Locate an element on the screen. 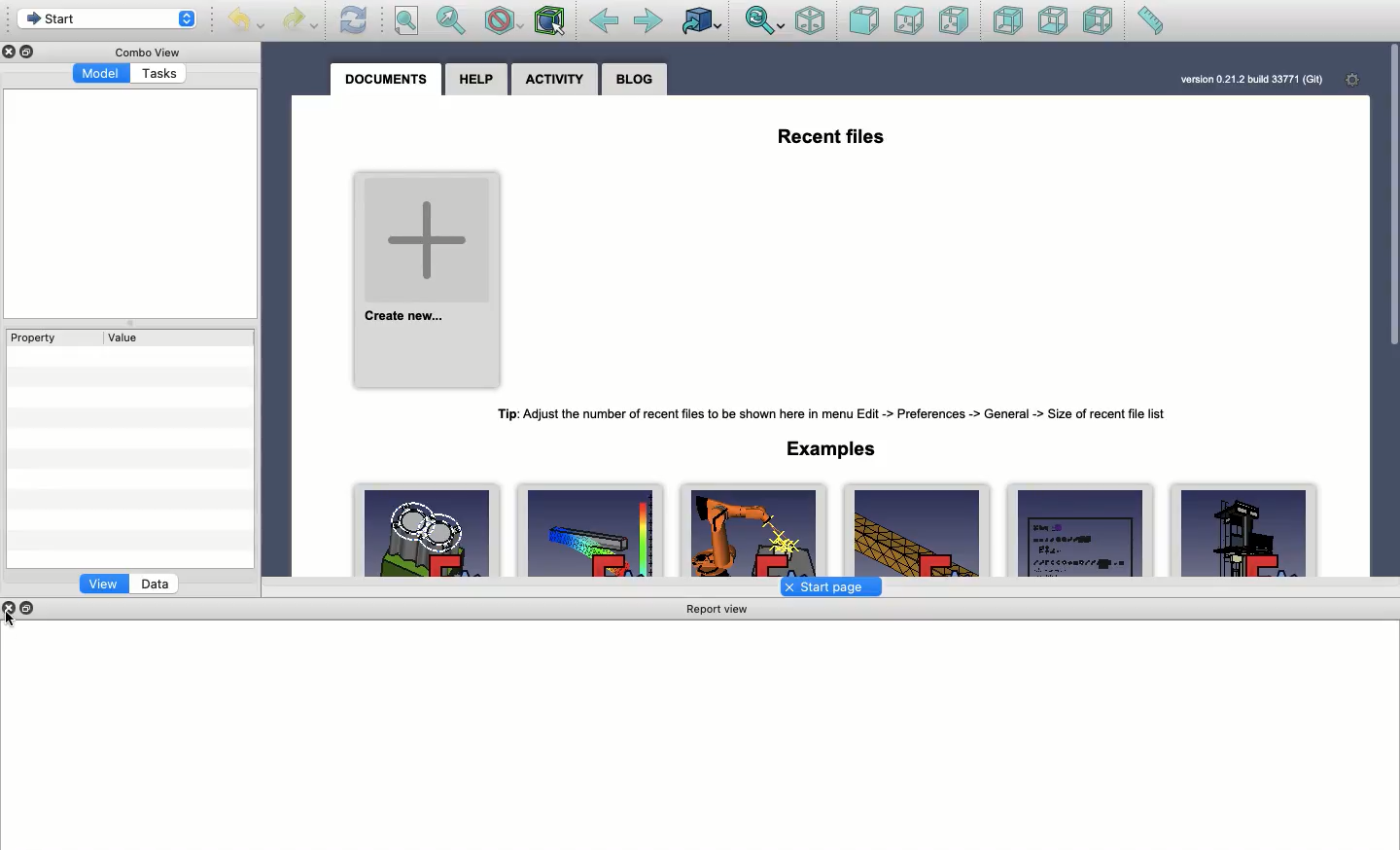 Image resolution: width=1400 pixels, height=850 pixels. Measure is located at coordinates (1150, 22).